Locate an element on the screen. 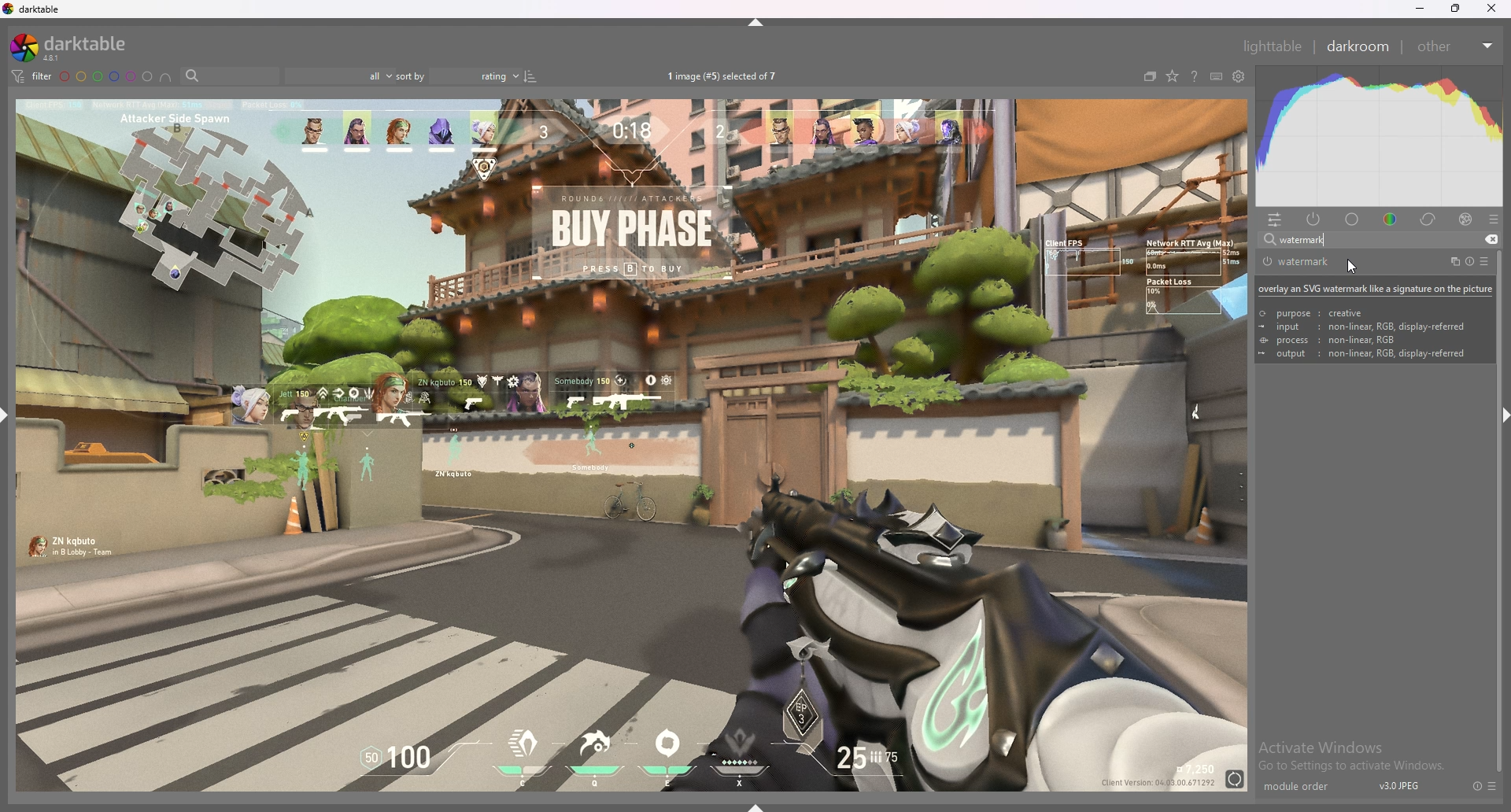  presets is located at coordinates (1494, 220).